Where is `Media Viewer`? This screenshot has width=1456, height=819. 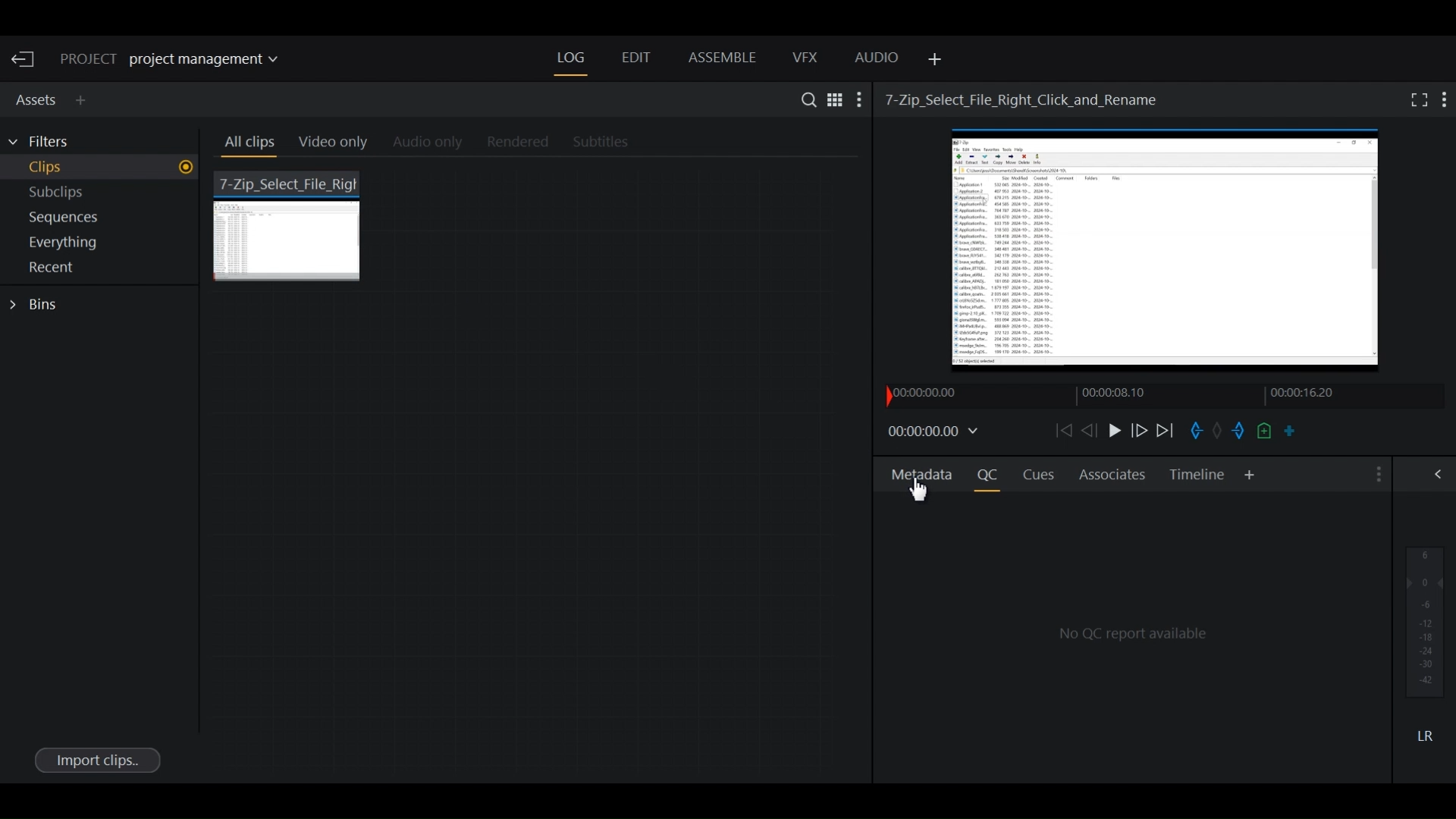 Media Viewer is located at coordinates (1168, 254).